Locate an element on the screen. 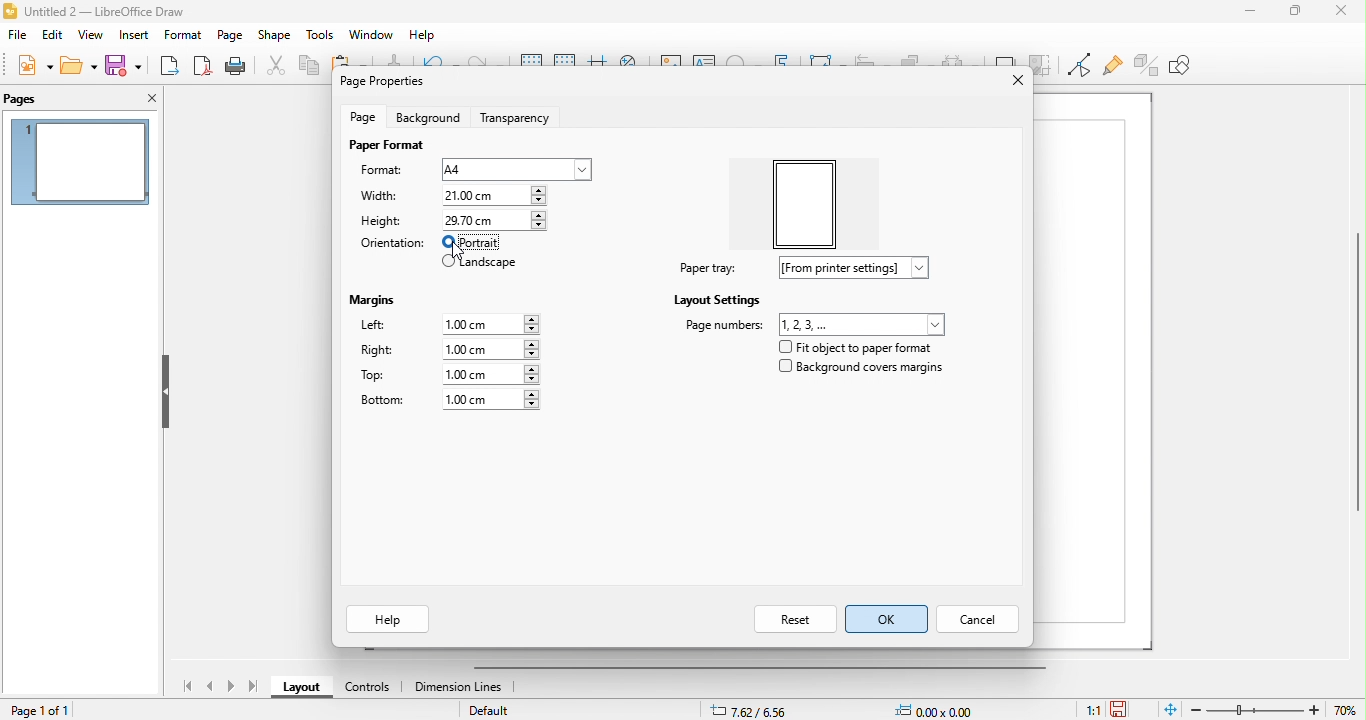 This screenshot has height=720, width=1366. show draw functions is located at coordinates (1192, 71).